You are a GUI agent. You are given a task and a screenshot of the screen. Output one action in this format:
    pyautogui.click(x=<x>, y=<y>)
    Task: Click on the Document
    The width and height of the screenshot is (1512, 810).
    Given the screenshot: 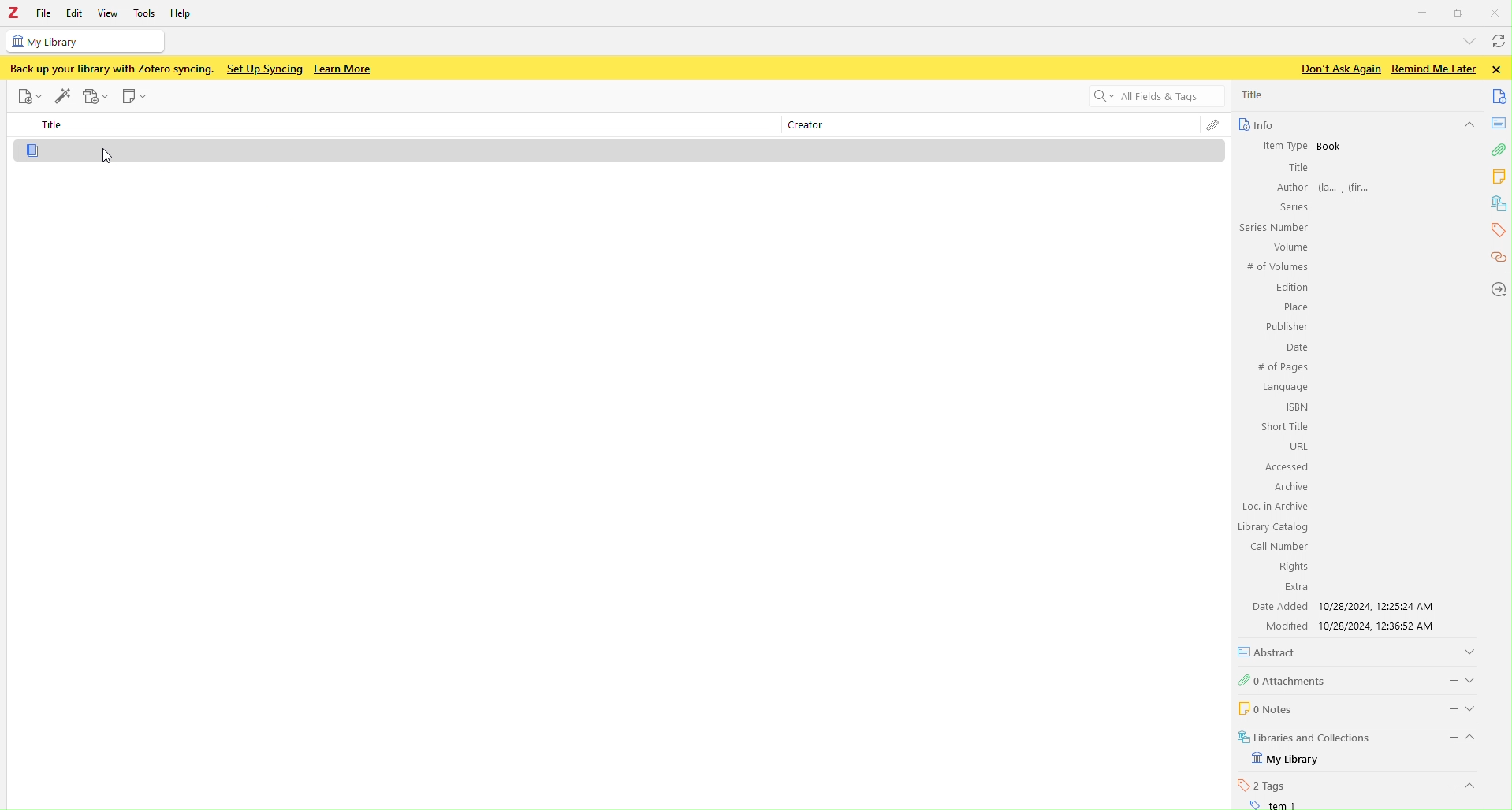 What is the action you would take?
    pyautogui.click(x=625, y=151)
    